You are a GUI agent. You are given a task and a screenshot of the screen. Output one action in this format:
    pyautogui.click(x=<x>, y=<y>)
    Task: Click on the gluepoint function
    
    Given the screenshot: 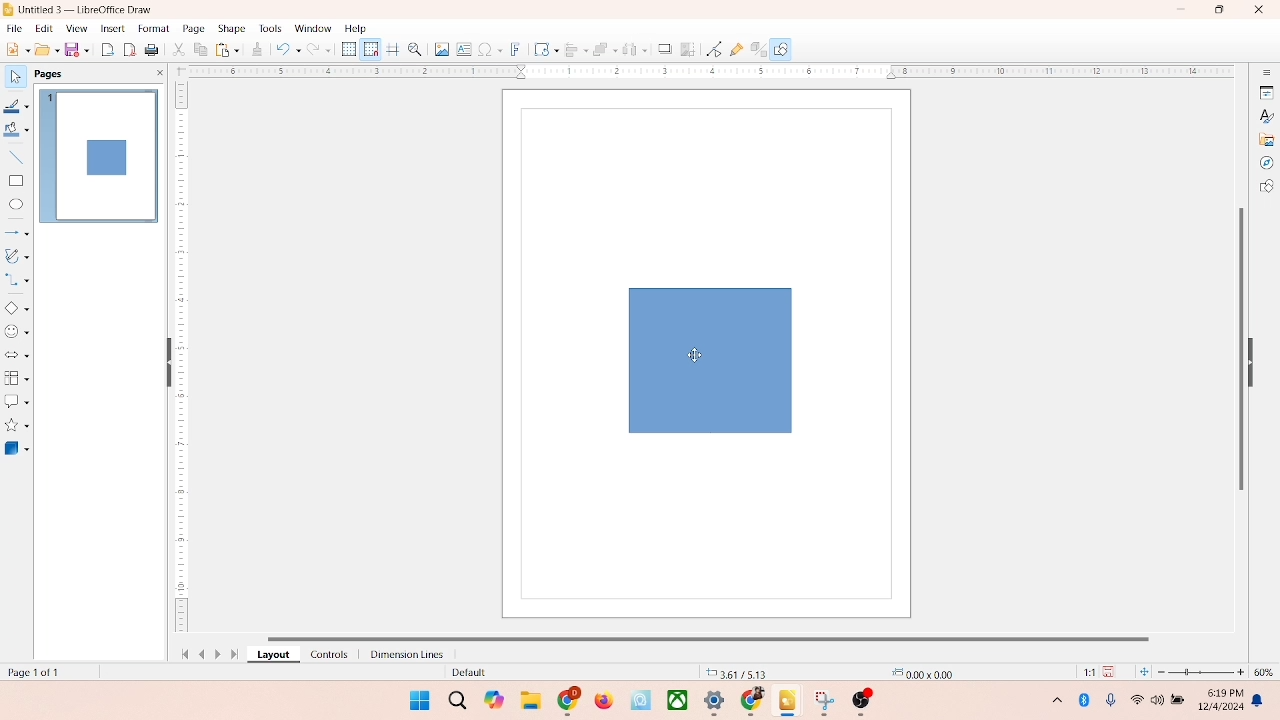 What is the action you would take?
    pyautogui.click(x=735, y=50)
    